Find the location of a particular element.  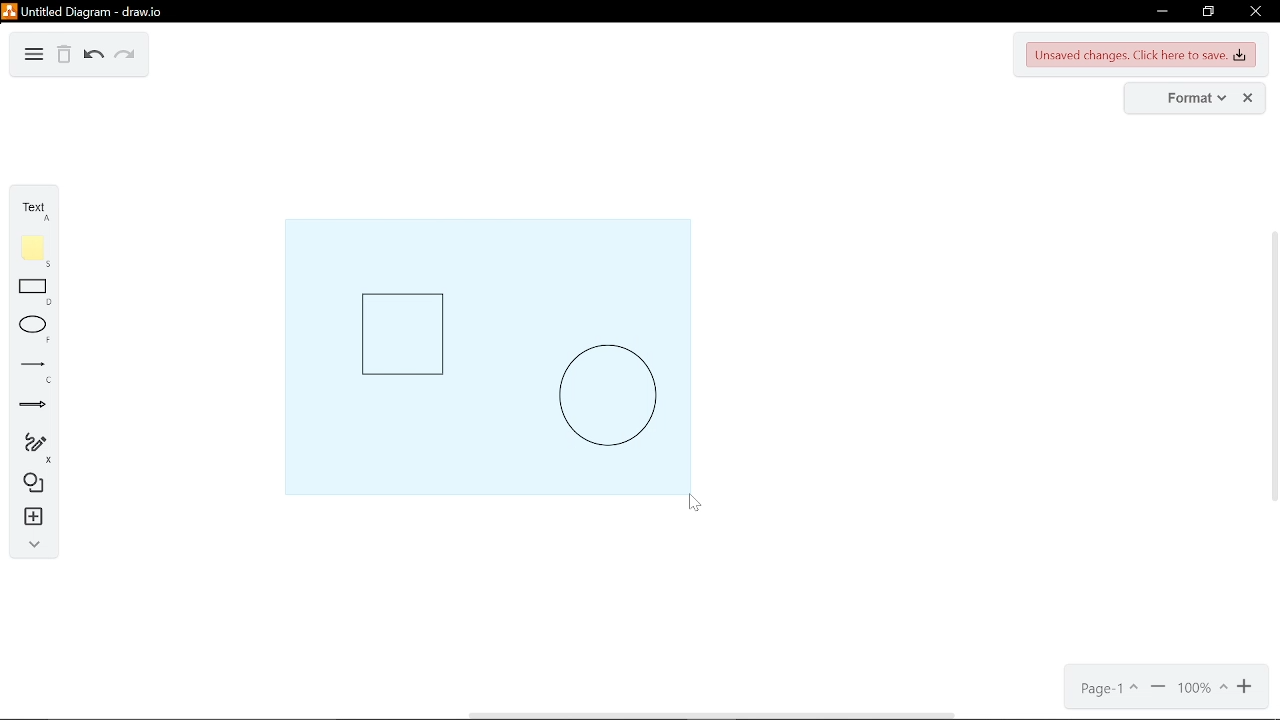

diagrams being selected together is located at coordinates (484, 352).